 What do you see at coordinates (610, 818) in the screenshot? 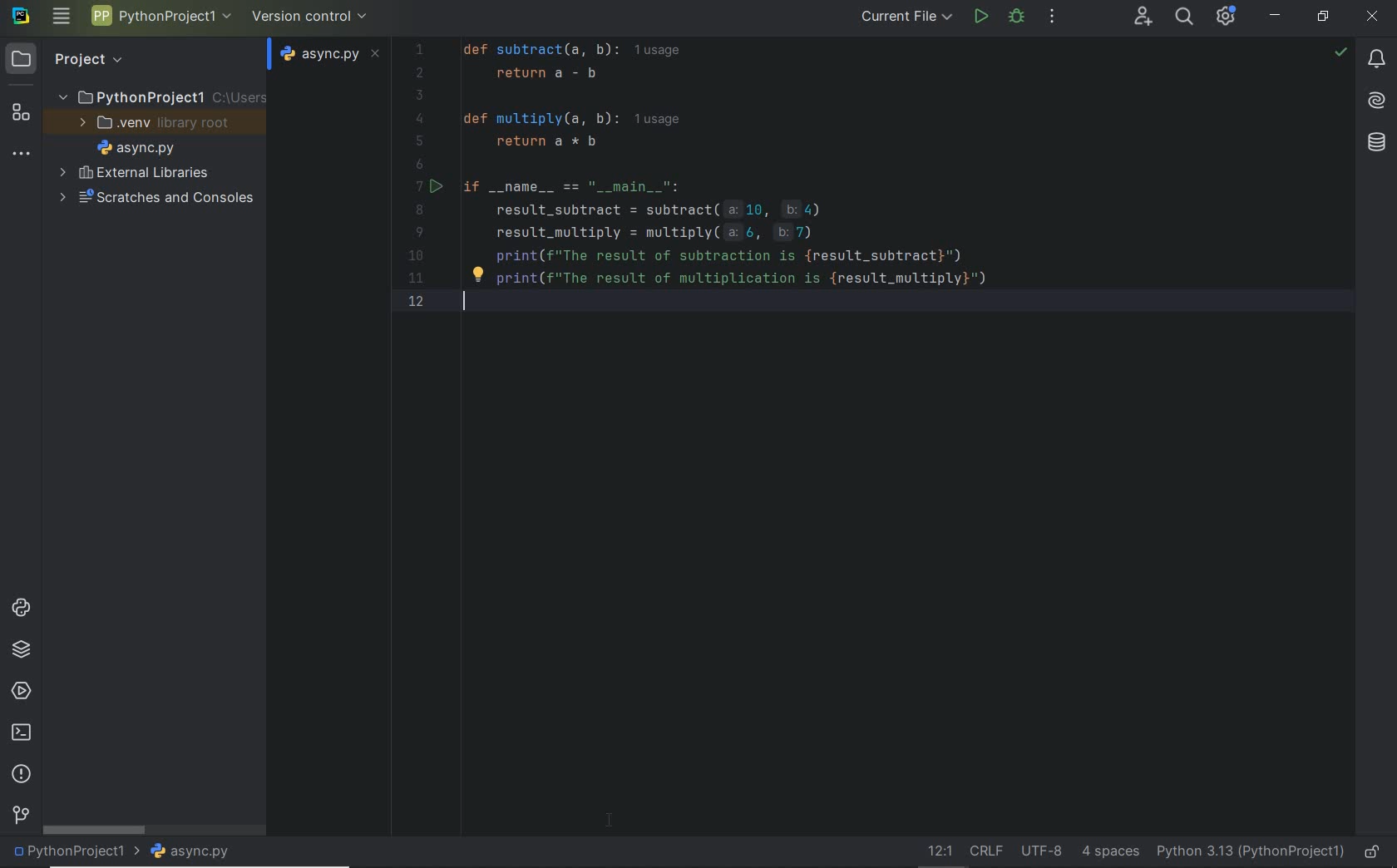
I see `Cursor Position` at bounding box center [610, 818].